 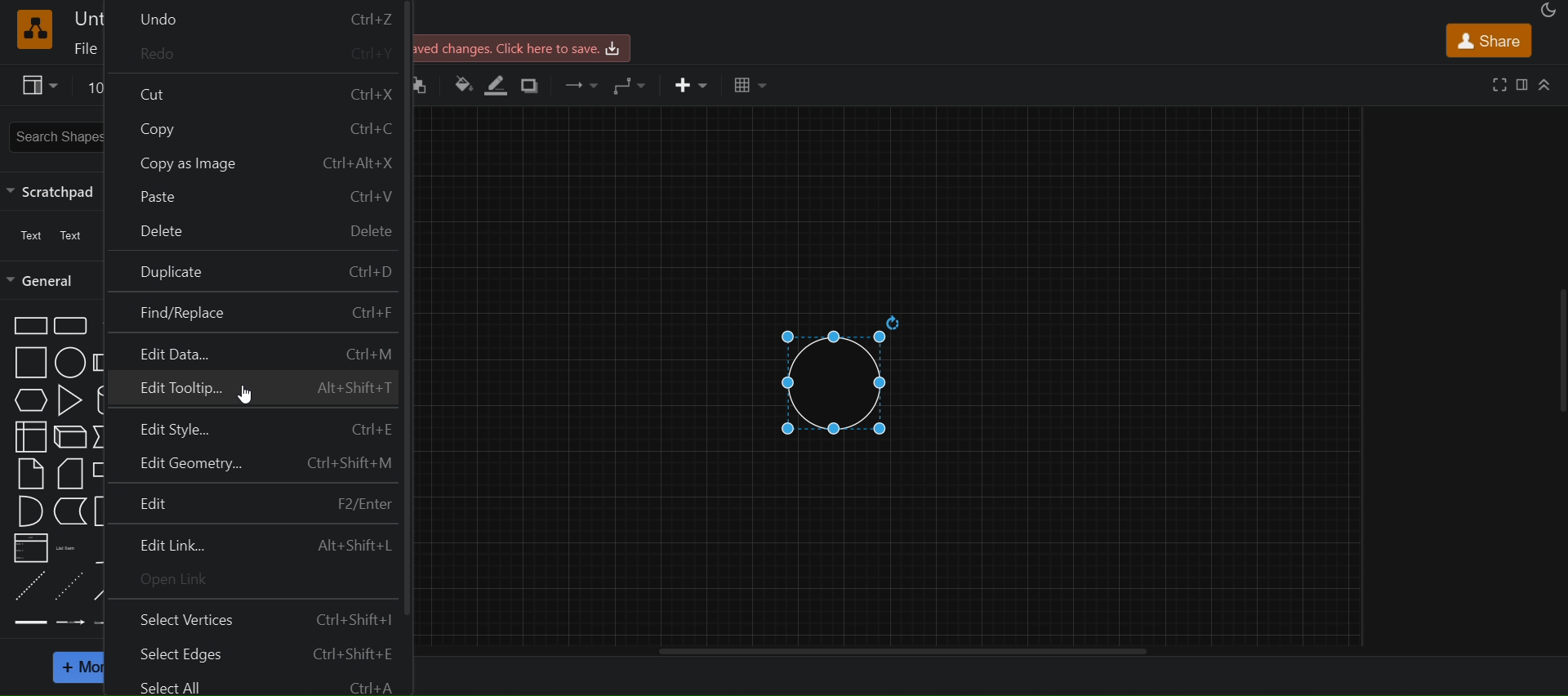 I want to click on format, so click(x=1521, y=83).